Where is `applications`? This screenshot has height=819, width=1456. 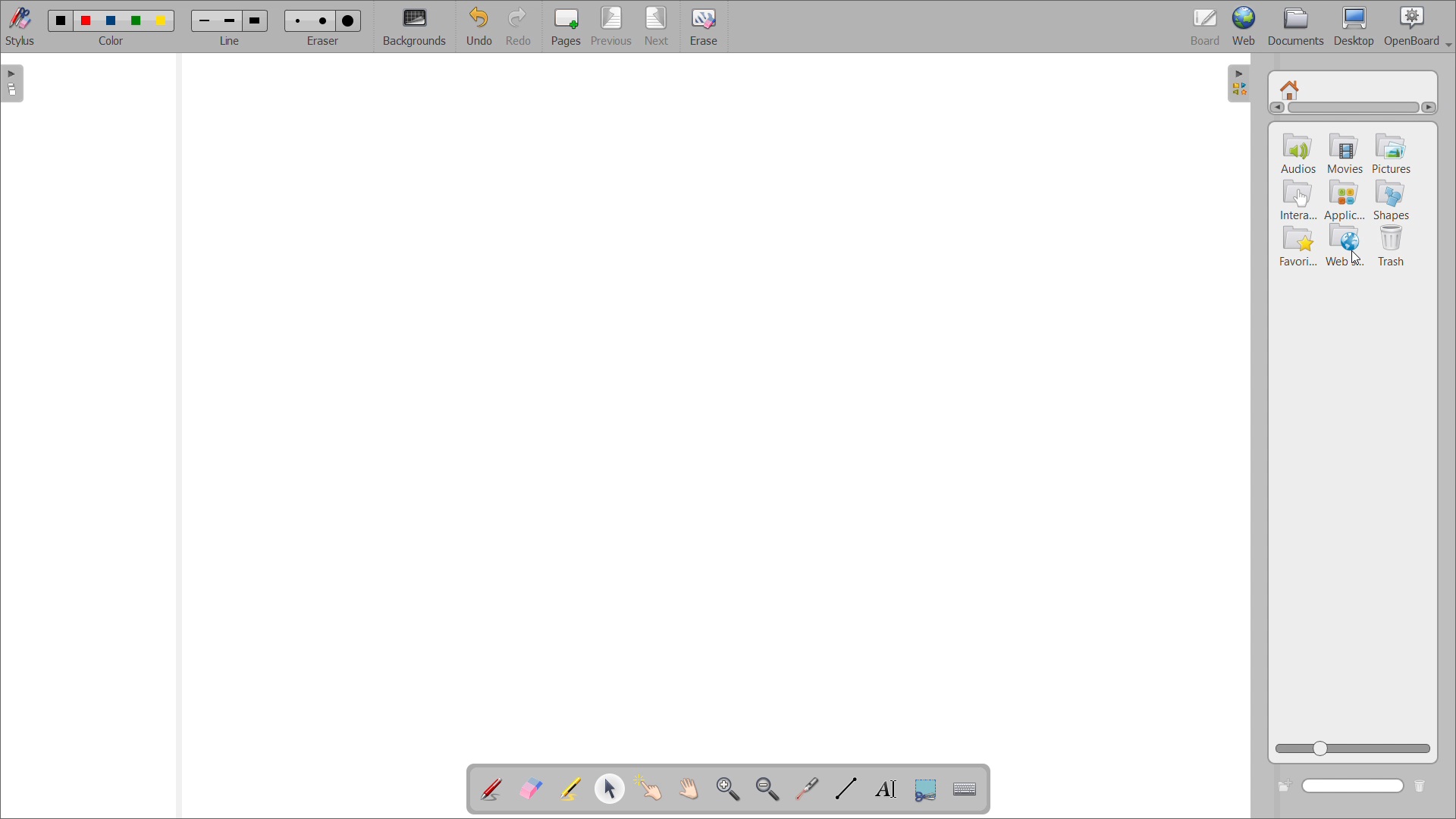 applications is located at coordinates (1346, 199).